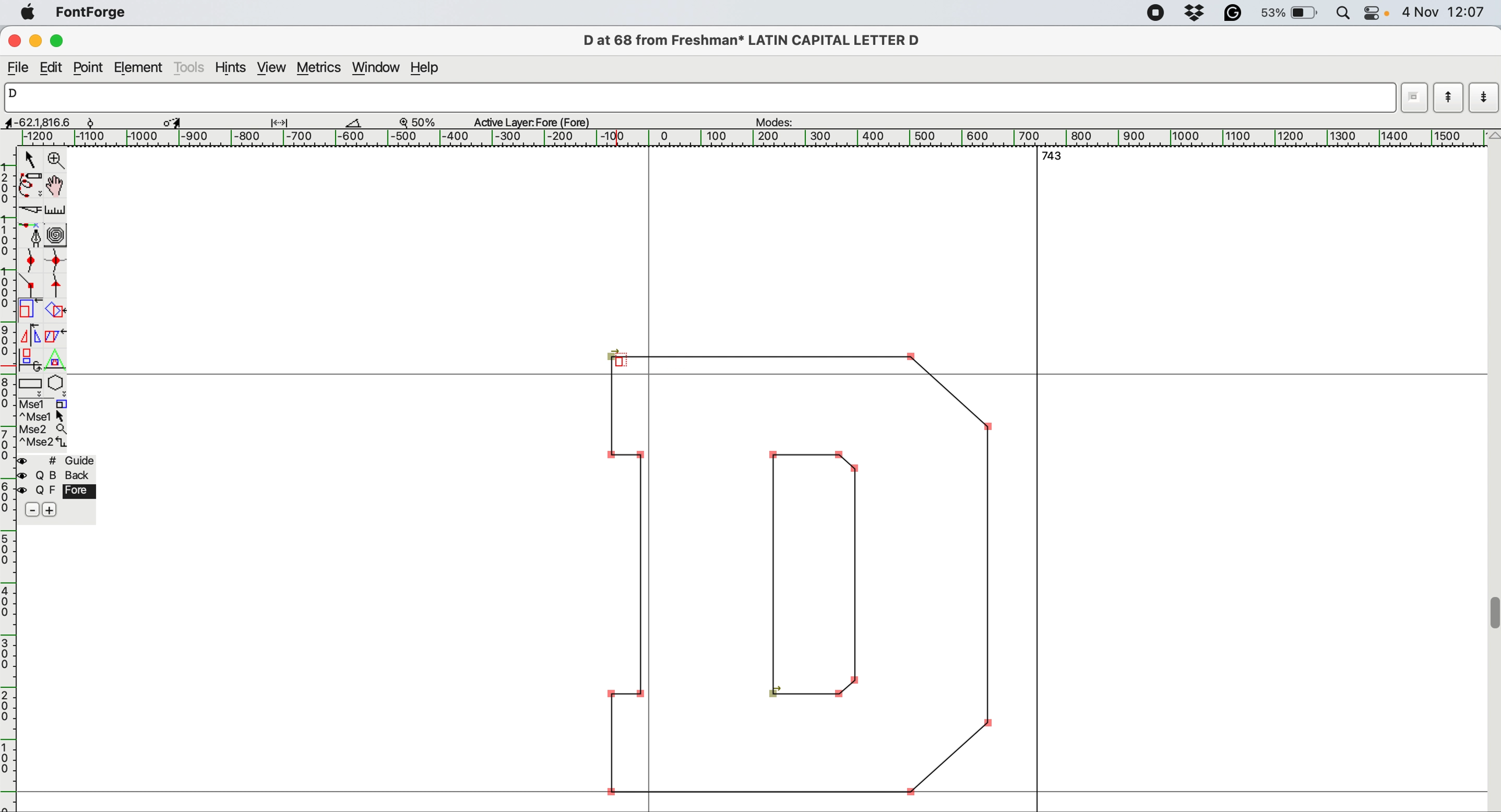 The height and width of the screenshot is (812, 1501). What do you see at coordinates (1375, 13) in the screenshot?
I see `control center` at bounding box center [1375, 13].